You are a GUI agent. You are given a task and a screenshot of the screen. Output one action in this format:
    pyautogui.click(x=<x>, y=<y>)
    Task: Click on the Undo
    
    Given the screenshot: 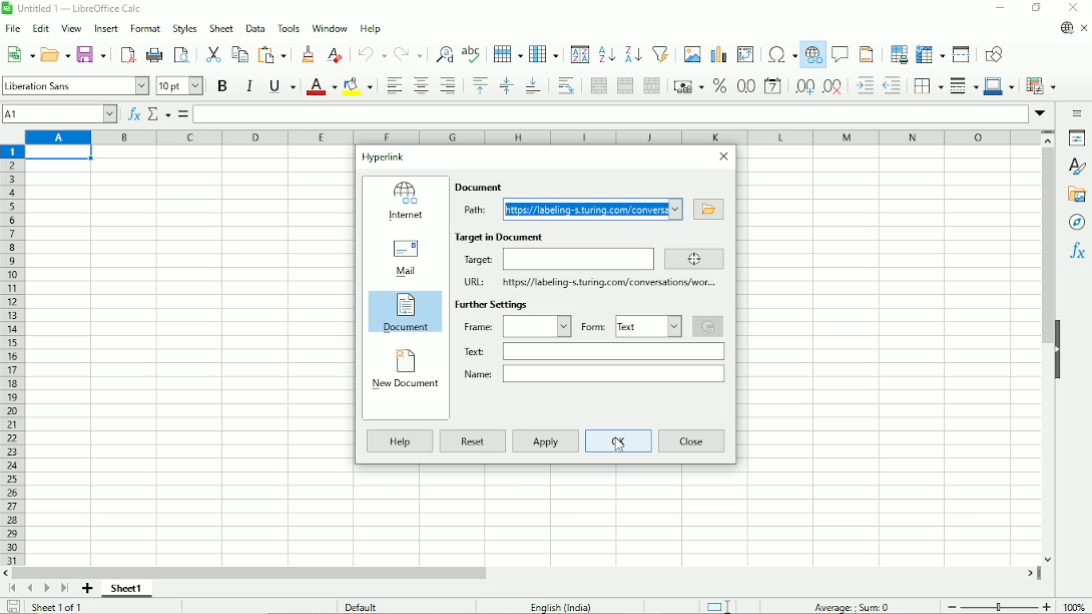 What is the action you would take?
    pyautogui.click(x=371, y=54)
    